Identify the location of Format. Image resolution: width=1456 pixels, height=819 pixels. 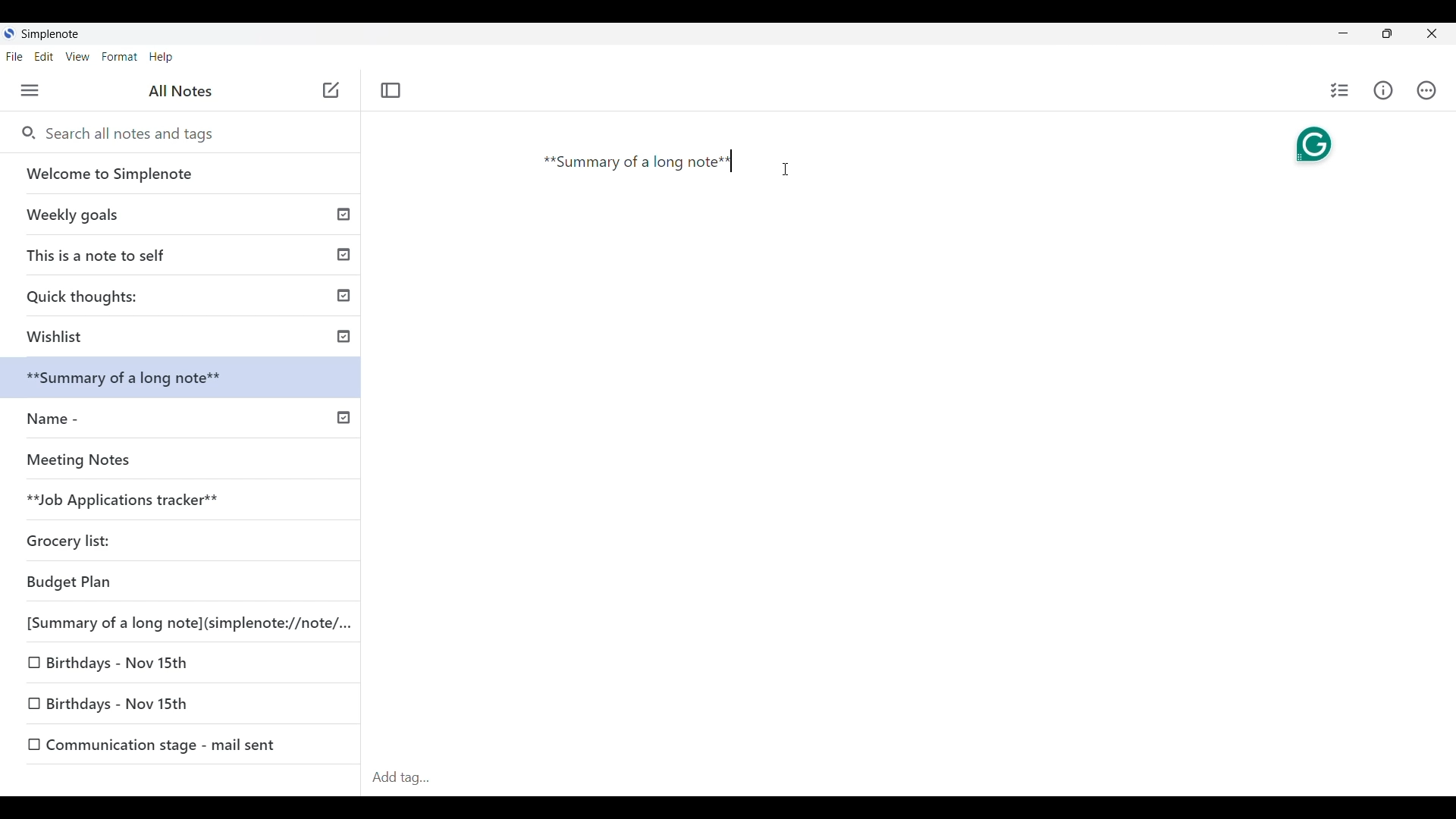
(120, 57).